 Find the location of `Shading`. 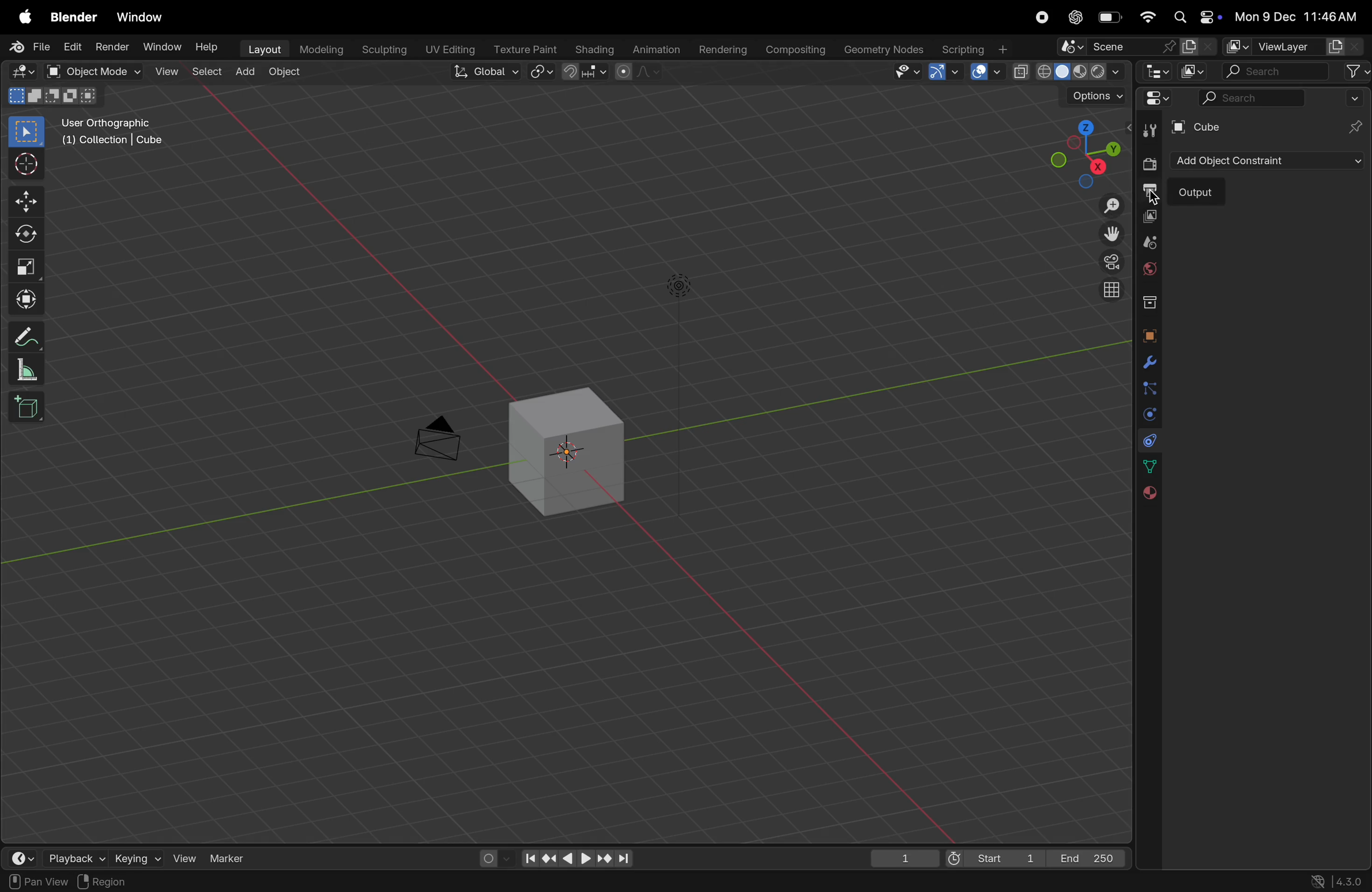

Shading is located at coordinates (596, 48).